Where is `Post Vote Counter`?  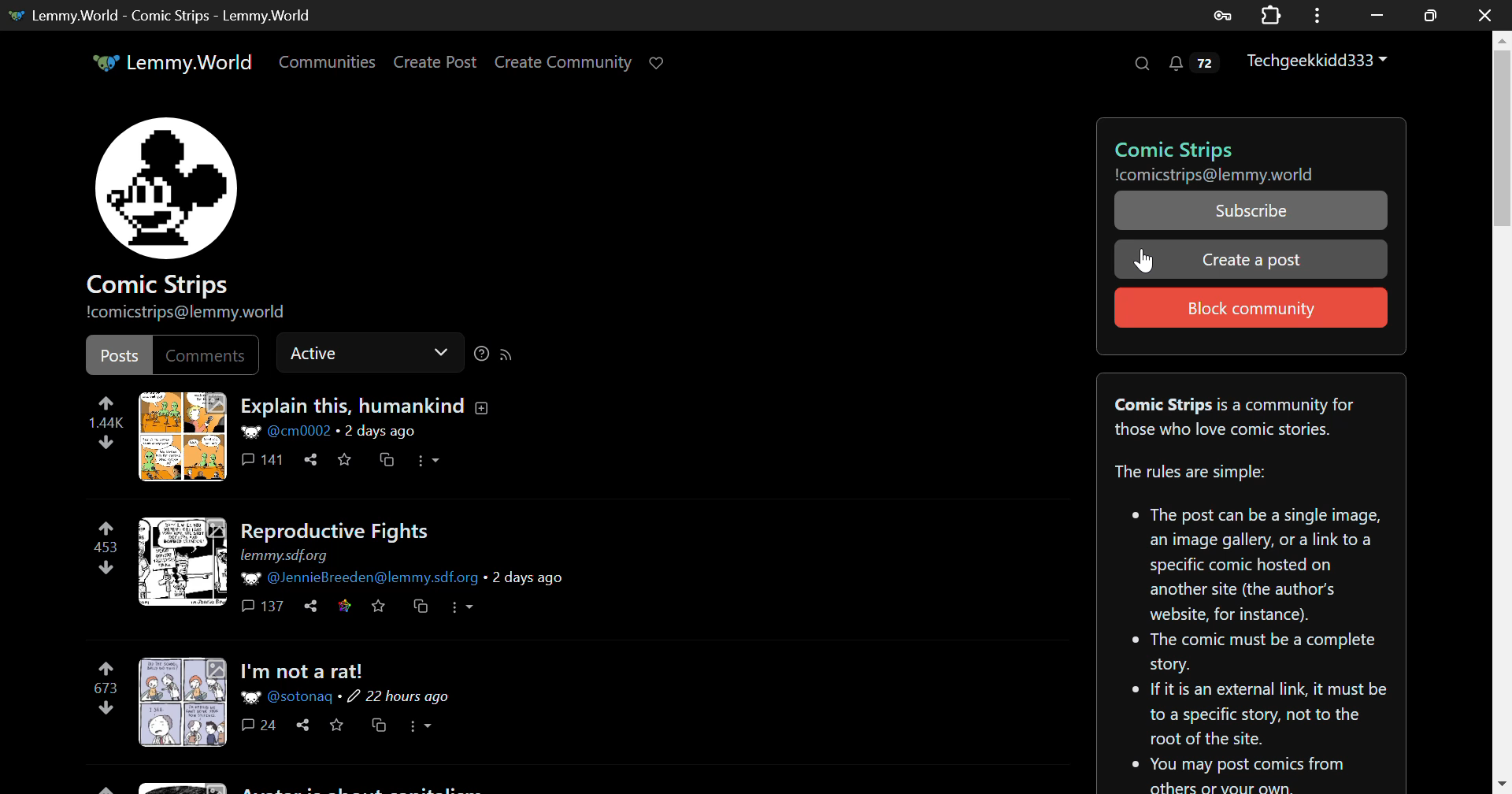 Post Vote Counter is located at coordinates (107, 685).